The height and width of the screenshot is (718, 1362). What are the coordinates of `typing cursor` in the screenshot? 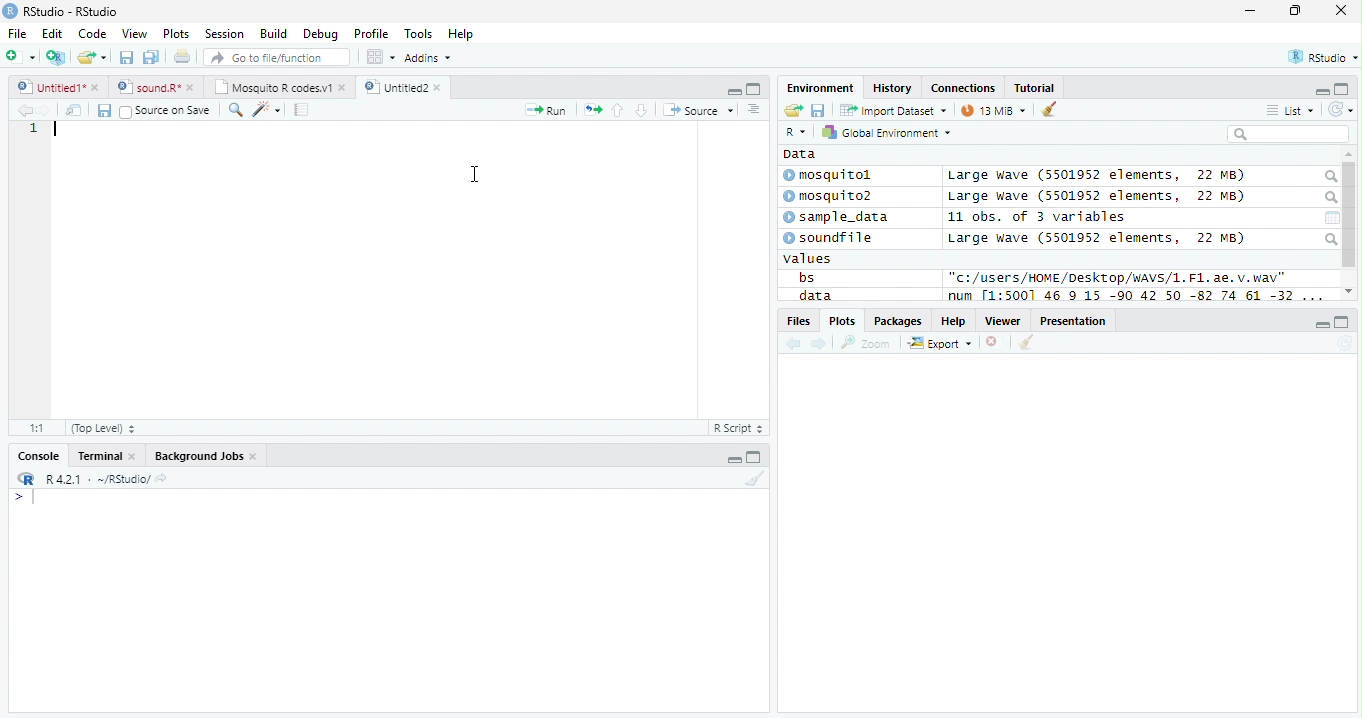 It's located at (56, 131).